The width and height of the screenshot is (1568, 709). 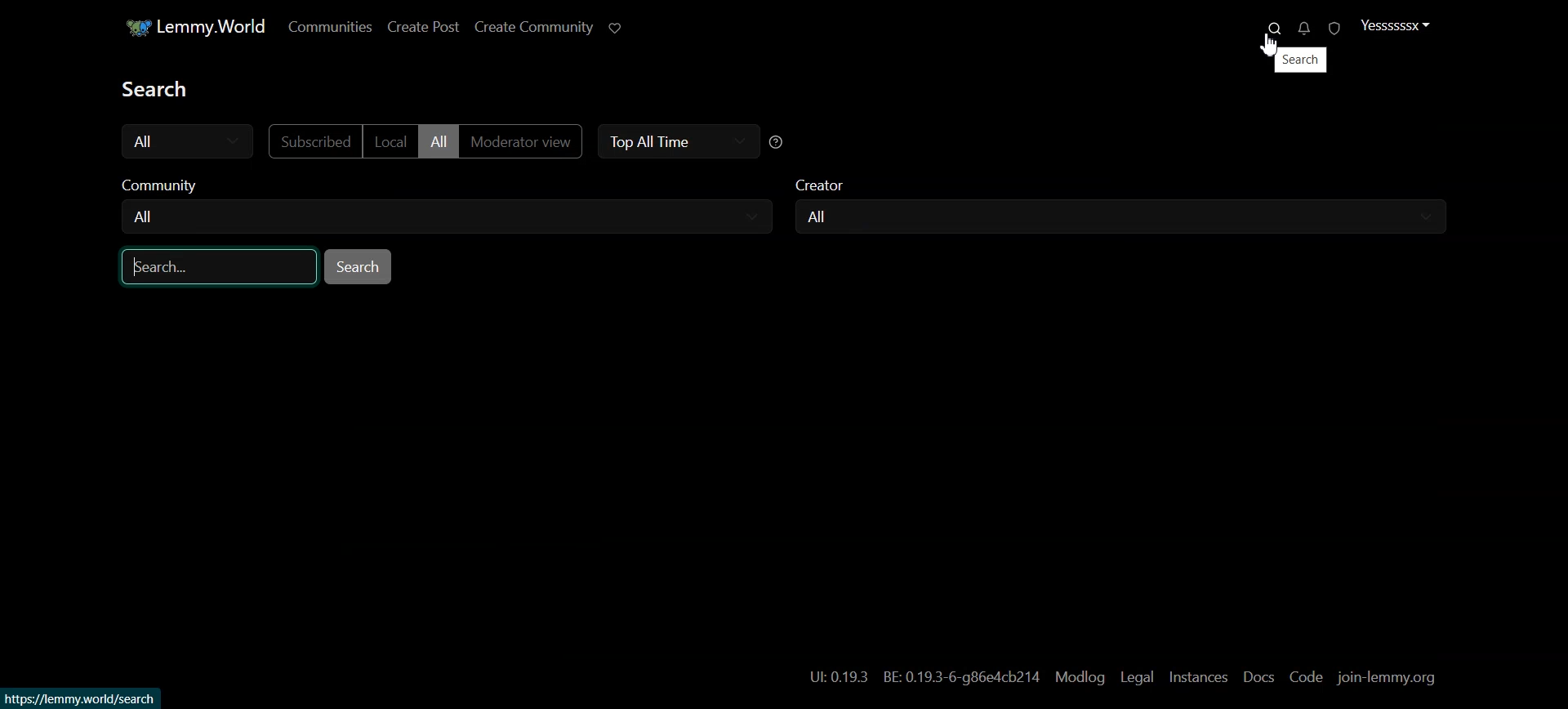 I want to click on All, so click(x=439, y=142).